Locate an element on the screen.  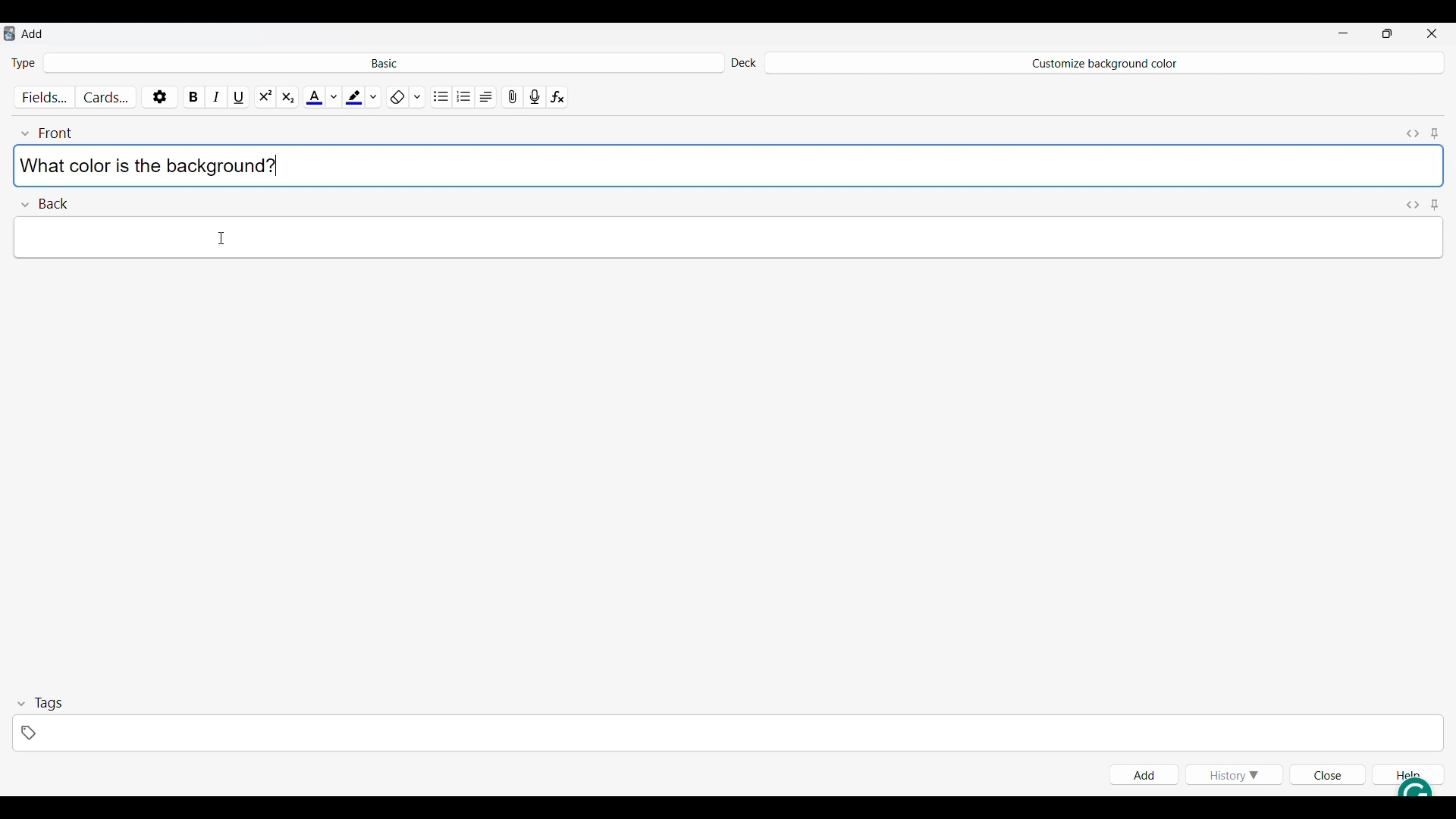
Show interface in smaller tab is located at coordinates (1388, 33).